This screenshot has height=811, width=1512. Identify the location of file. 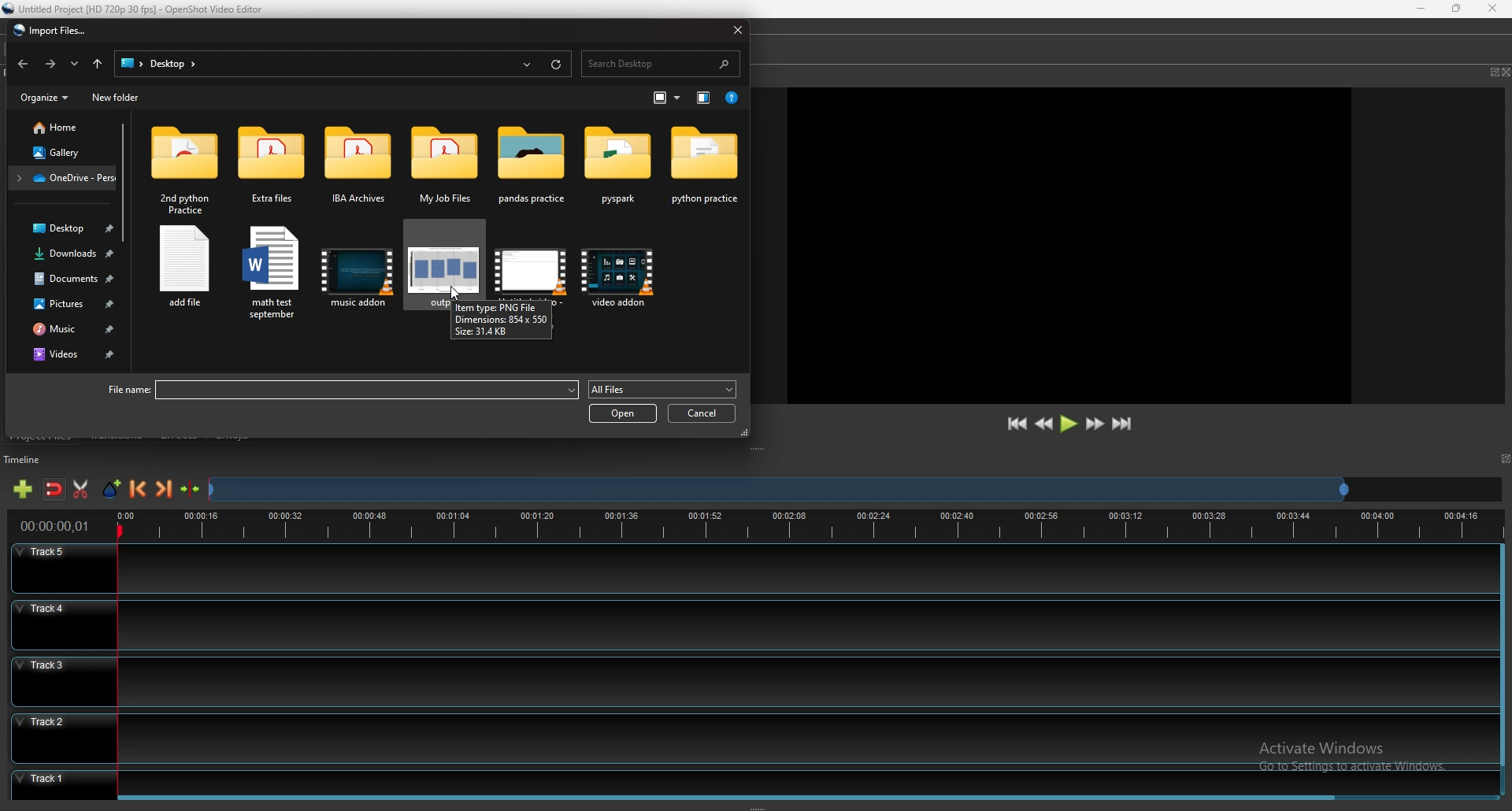
(442, 257).